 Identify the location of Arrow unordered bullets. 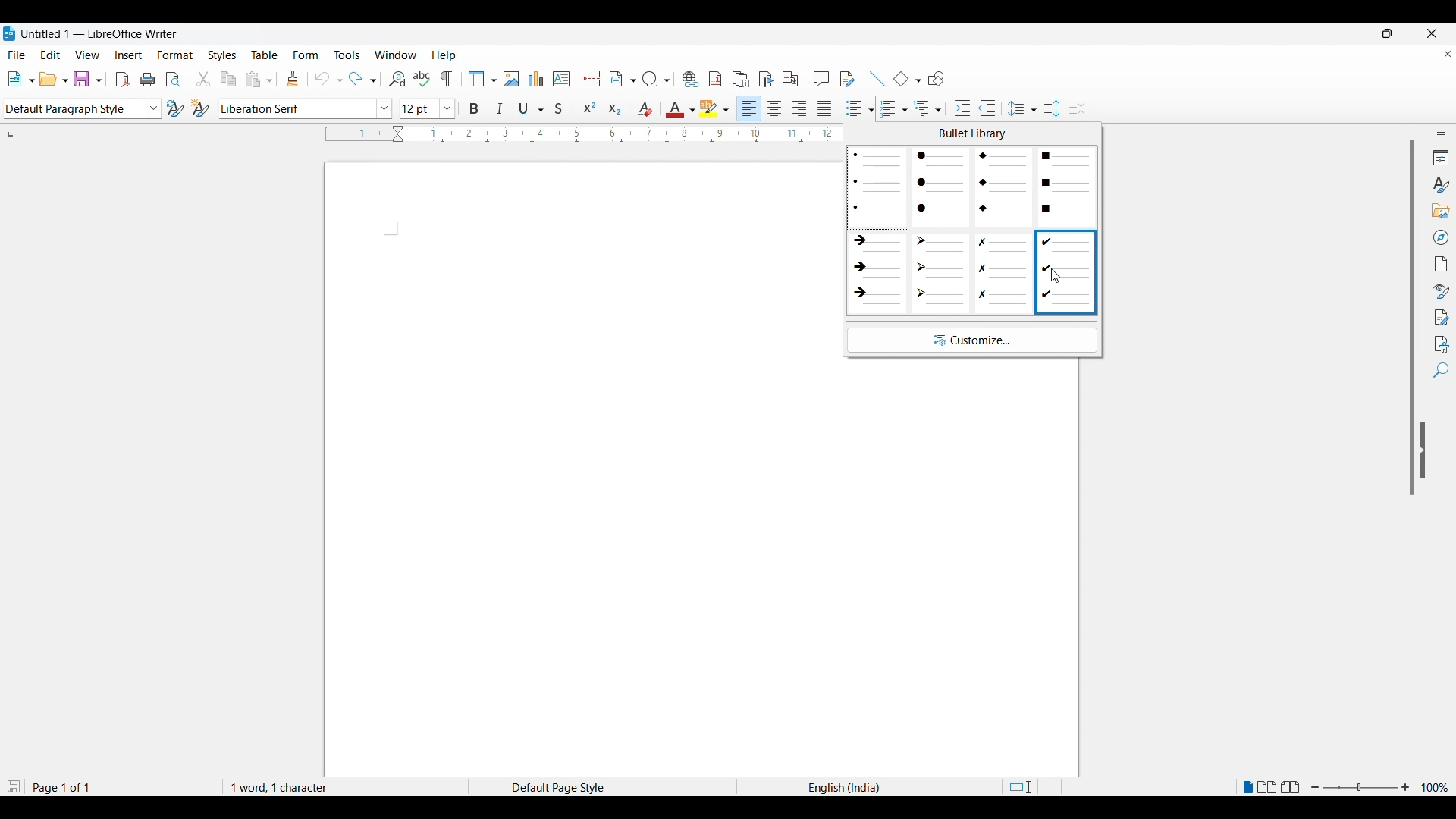
(878, 270).